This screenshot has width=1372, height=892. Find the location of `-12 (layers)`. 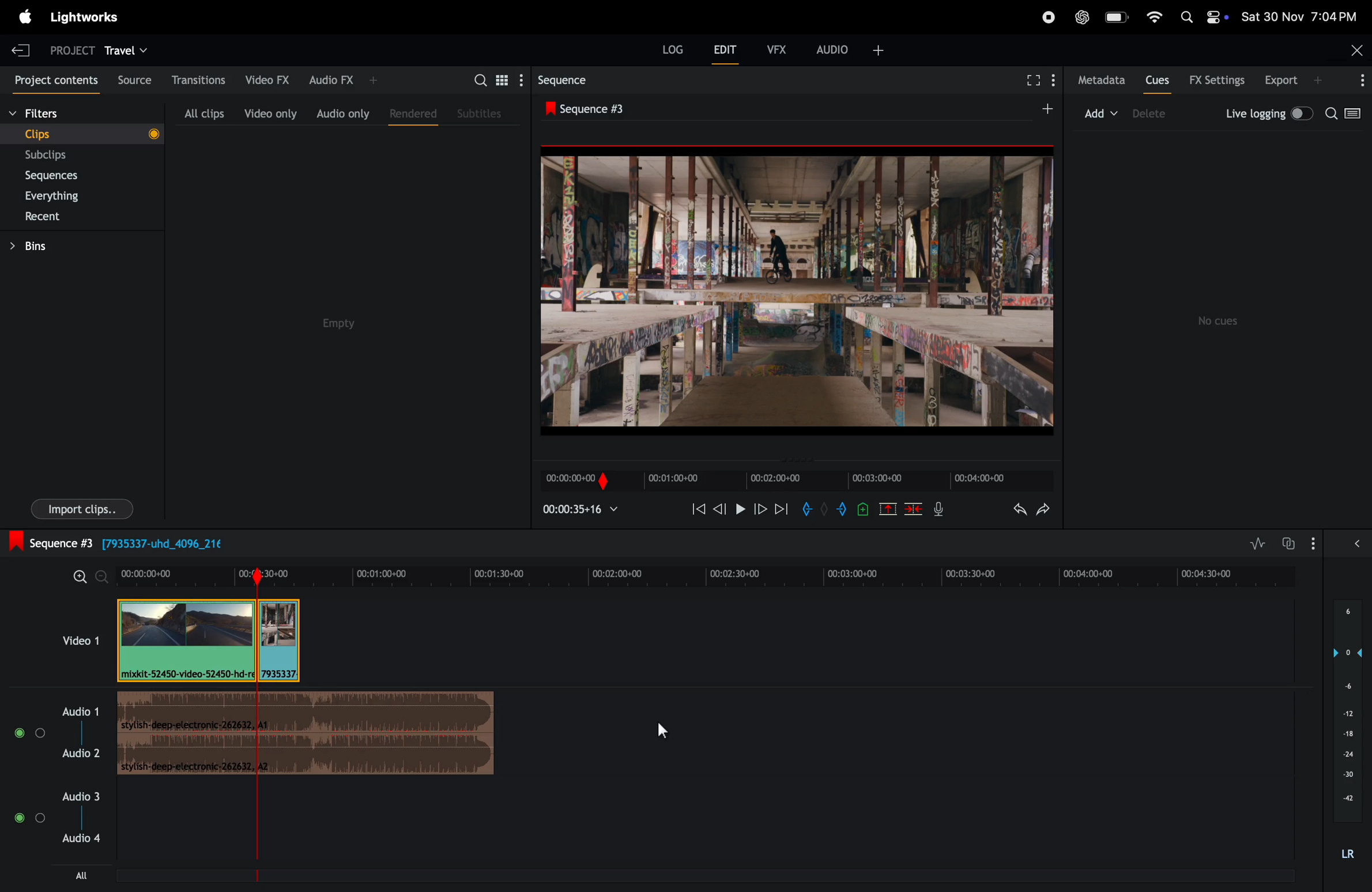

-12 (layers) is located at coordinates (1343, 713).